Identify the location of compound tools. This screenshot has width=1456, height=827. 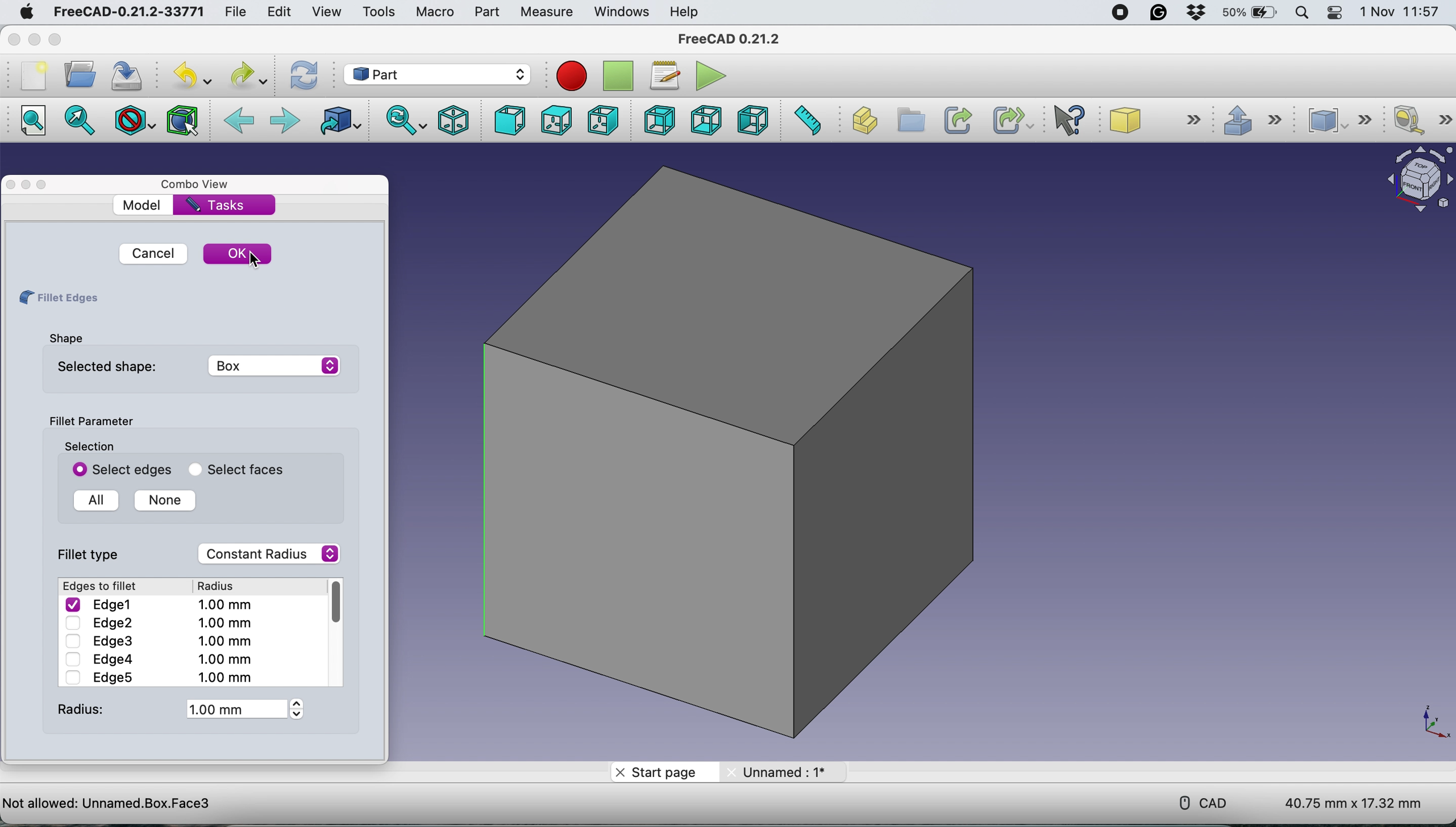
(1342, 120).